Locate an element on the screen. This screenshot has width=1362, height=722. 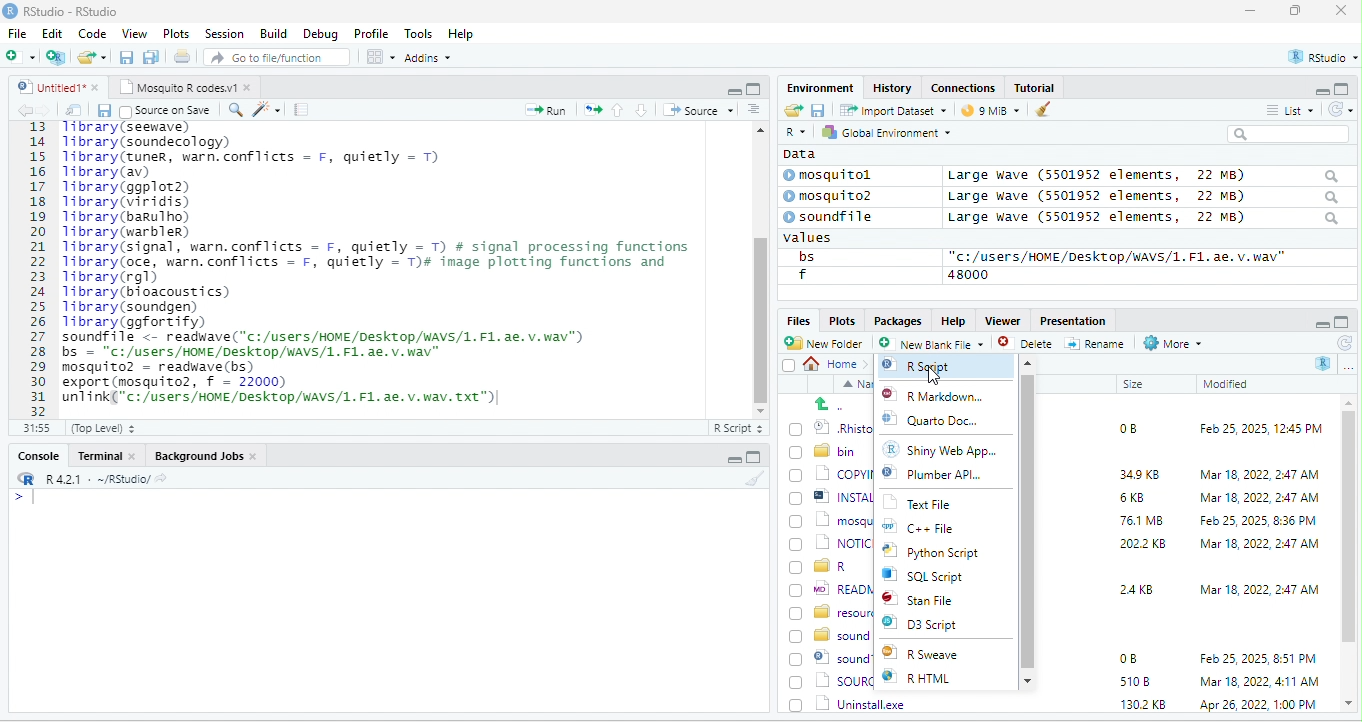
Viewer is located at coordinates (1000, 321).